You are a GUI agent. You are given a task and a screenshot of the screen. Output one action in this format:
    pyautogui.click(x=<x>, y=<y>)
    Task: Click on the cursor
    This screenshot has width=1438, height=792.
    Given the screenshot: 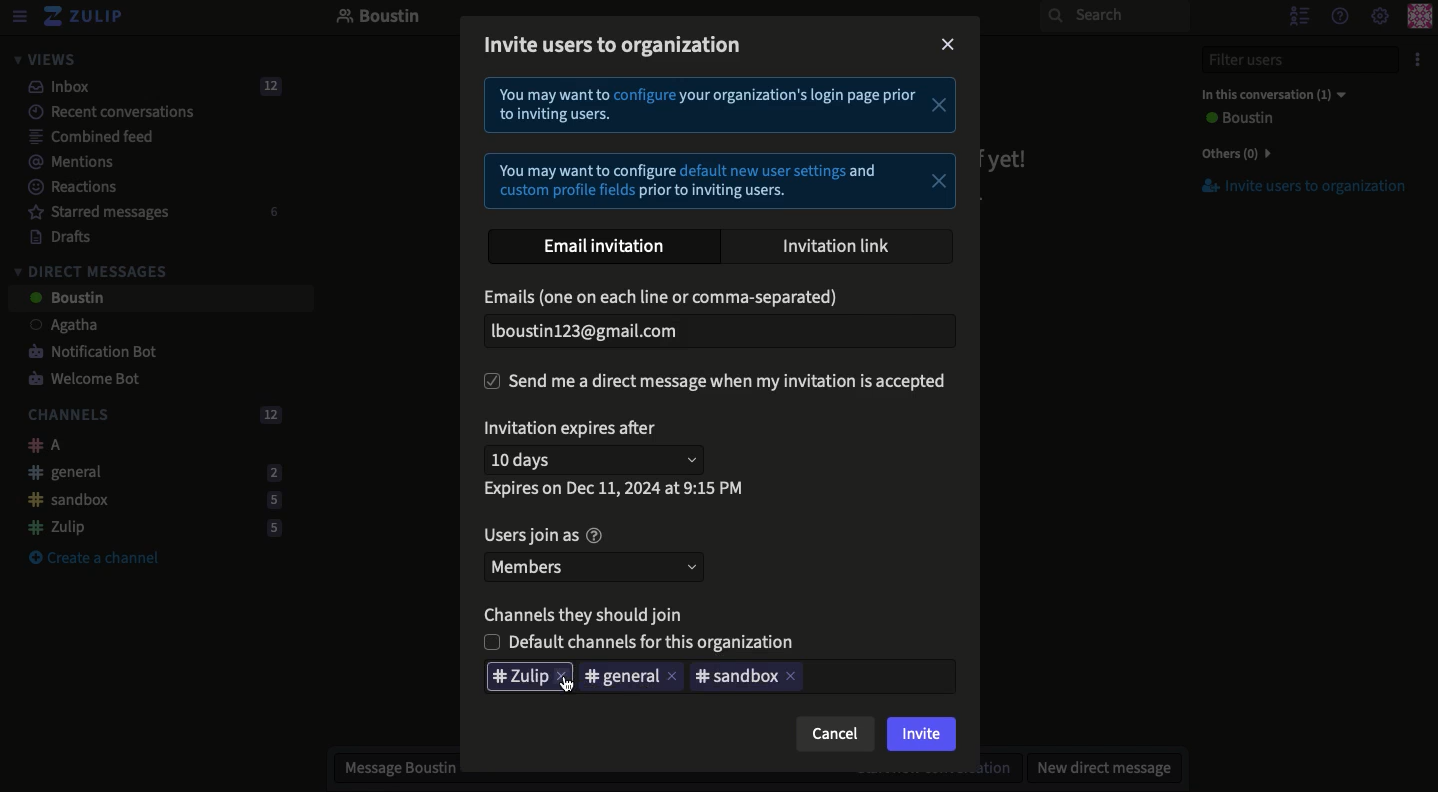 What is the action you would take?
    pyautogui.click(x=570, y=687)
    